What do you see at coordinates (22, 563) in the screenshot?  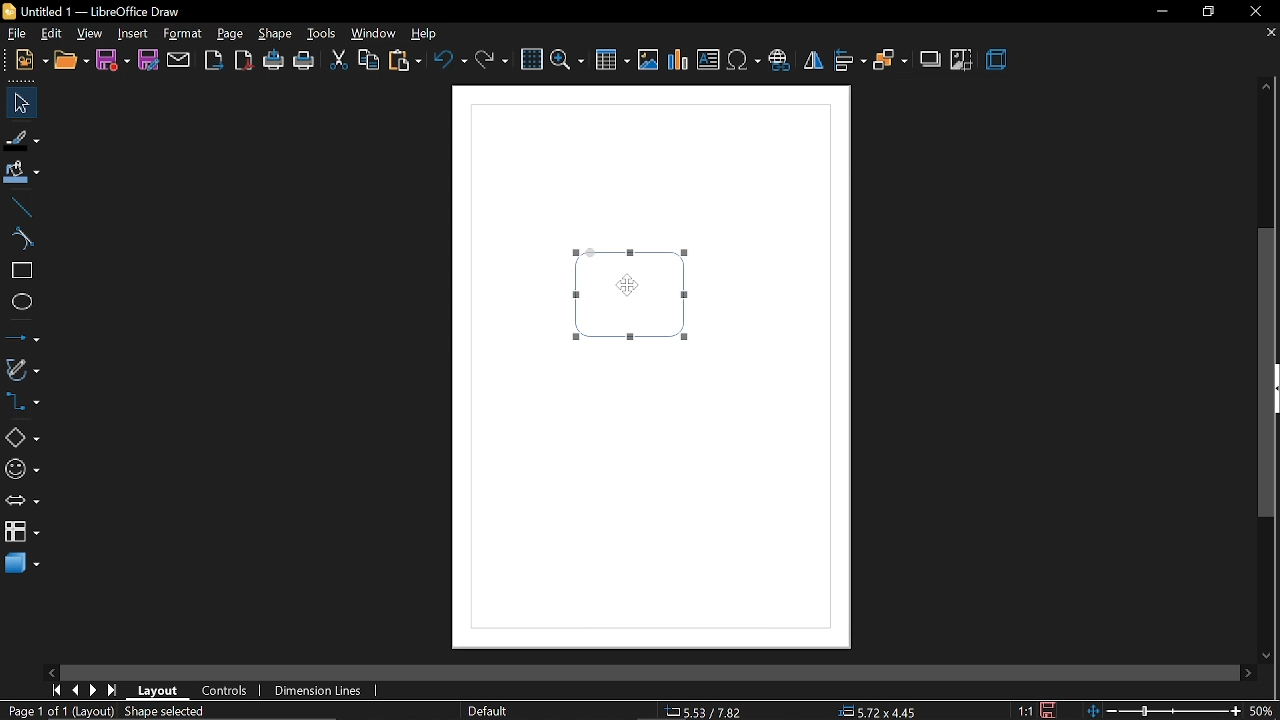 I see `3d shapes` at bounding box center [22, 563].